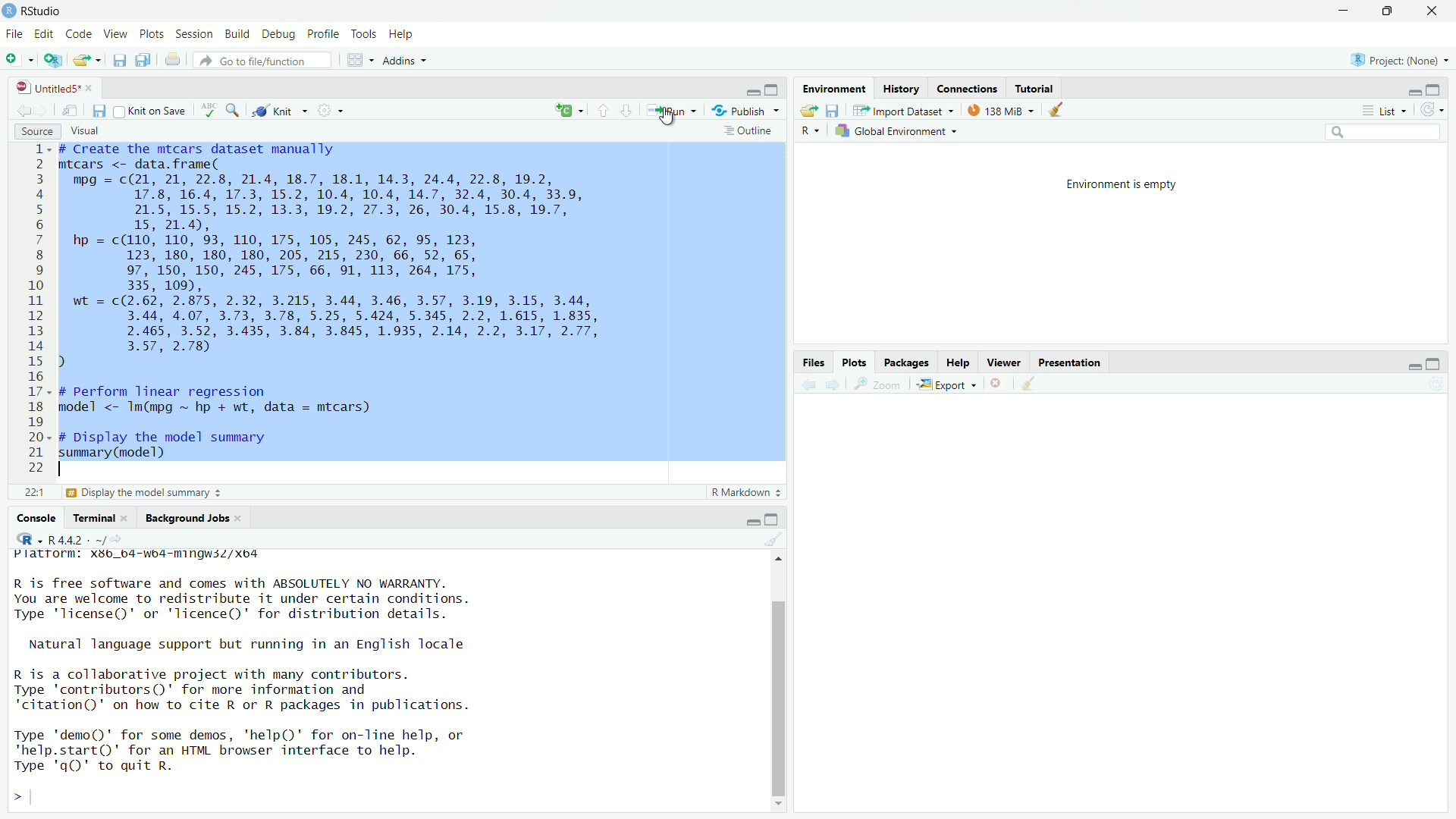  What do you see at coordinates (43, 112) in the screenshot?
I see `go forward` at bounding box center [43, 112].